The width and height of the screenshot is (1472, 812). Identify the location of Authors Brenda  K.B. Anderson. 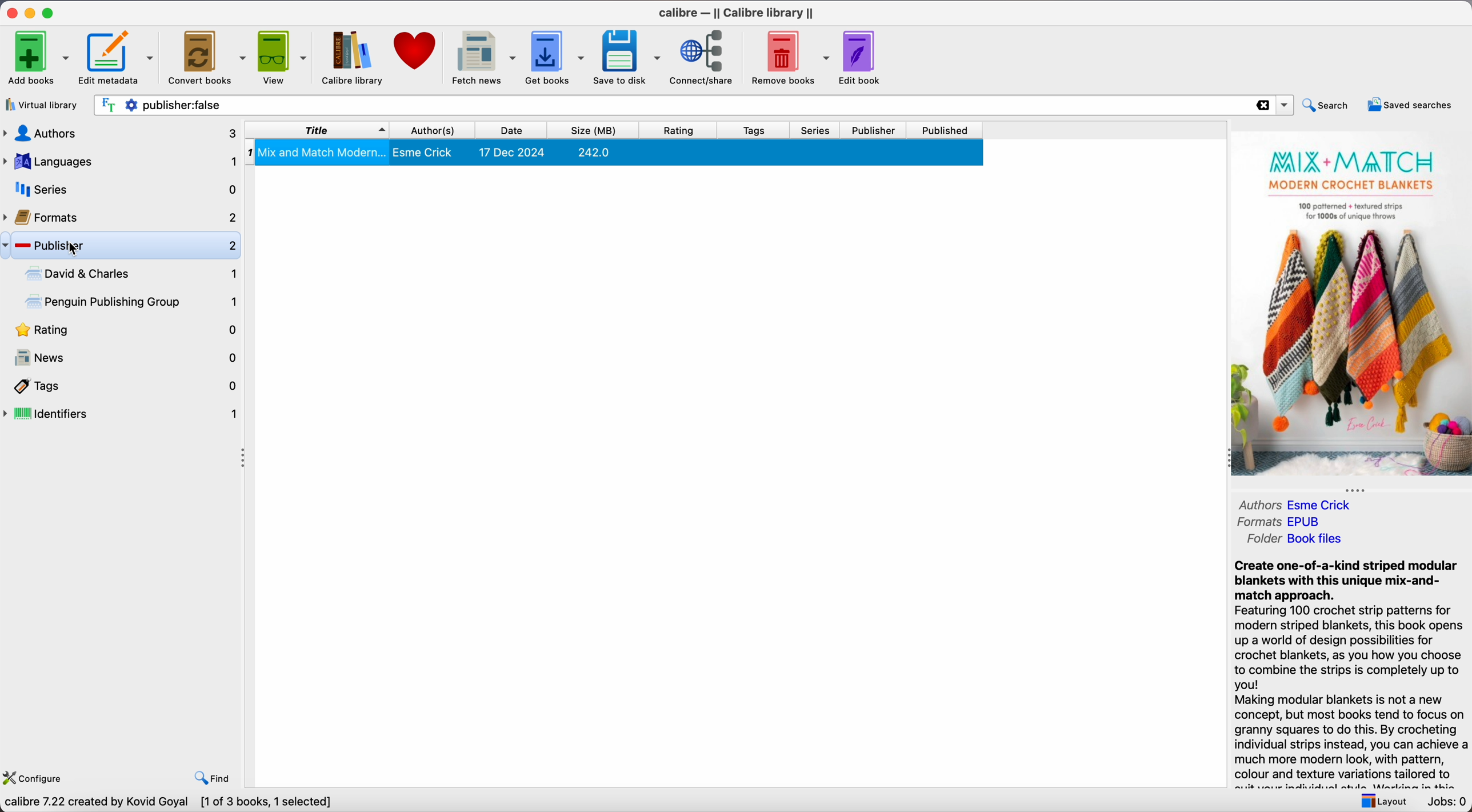
(1323, 504).